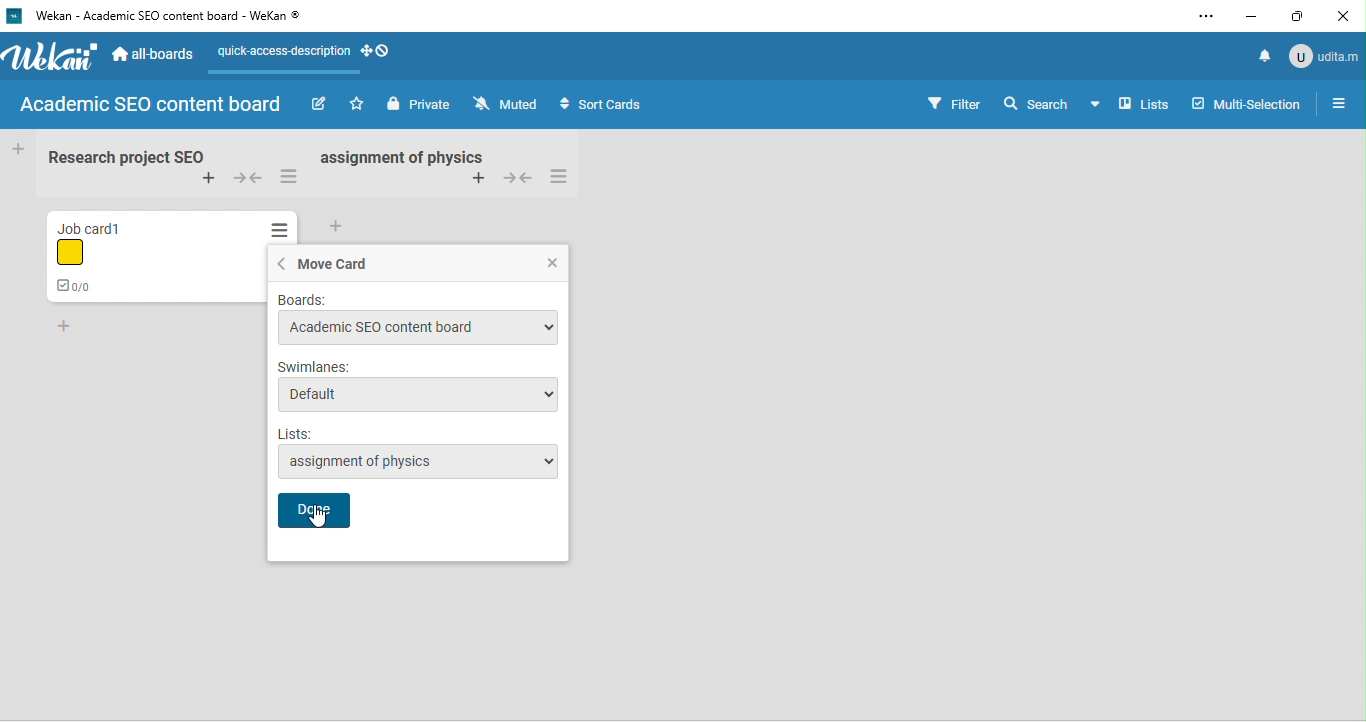 This screenshot has height=722, width=1366. What do you see at coordinates (431, 462) in the screenshot?
I see `lists options` at bounding box center [431, 462].